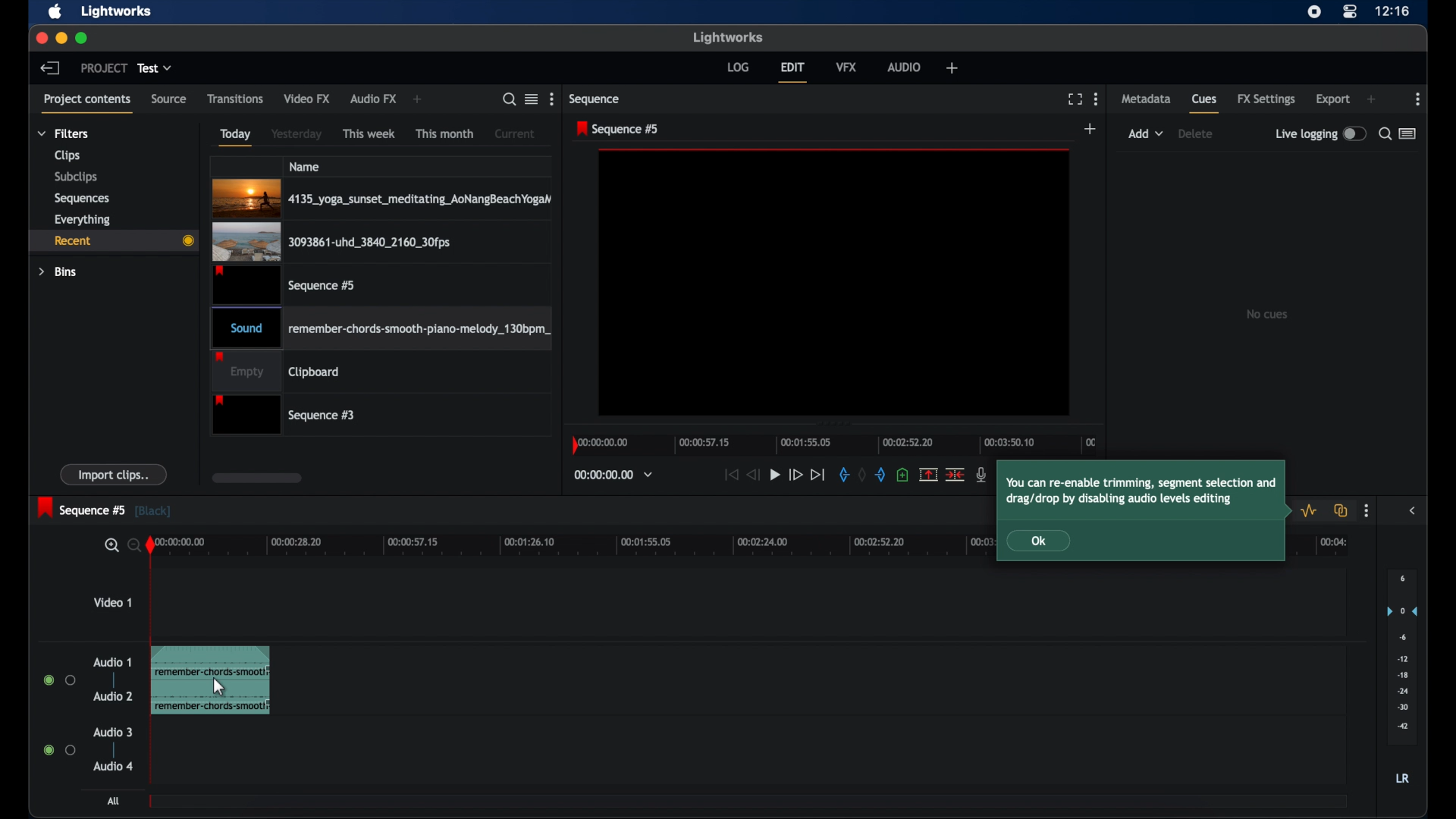  I want to click on add, so click(1146, 133).